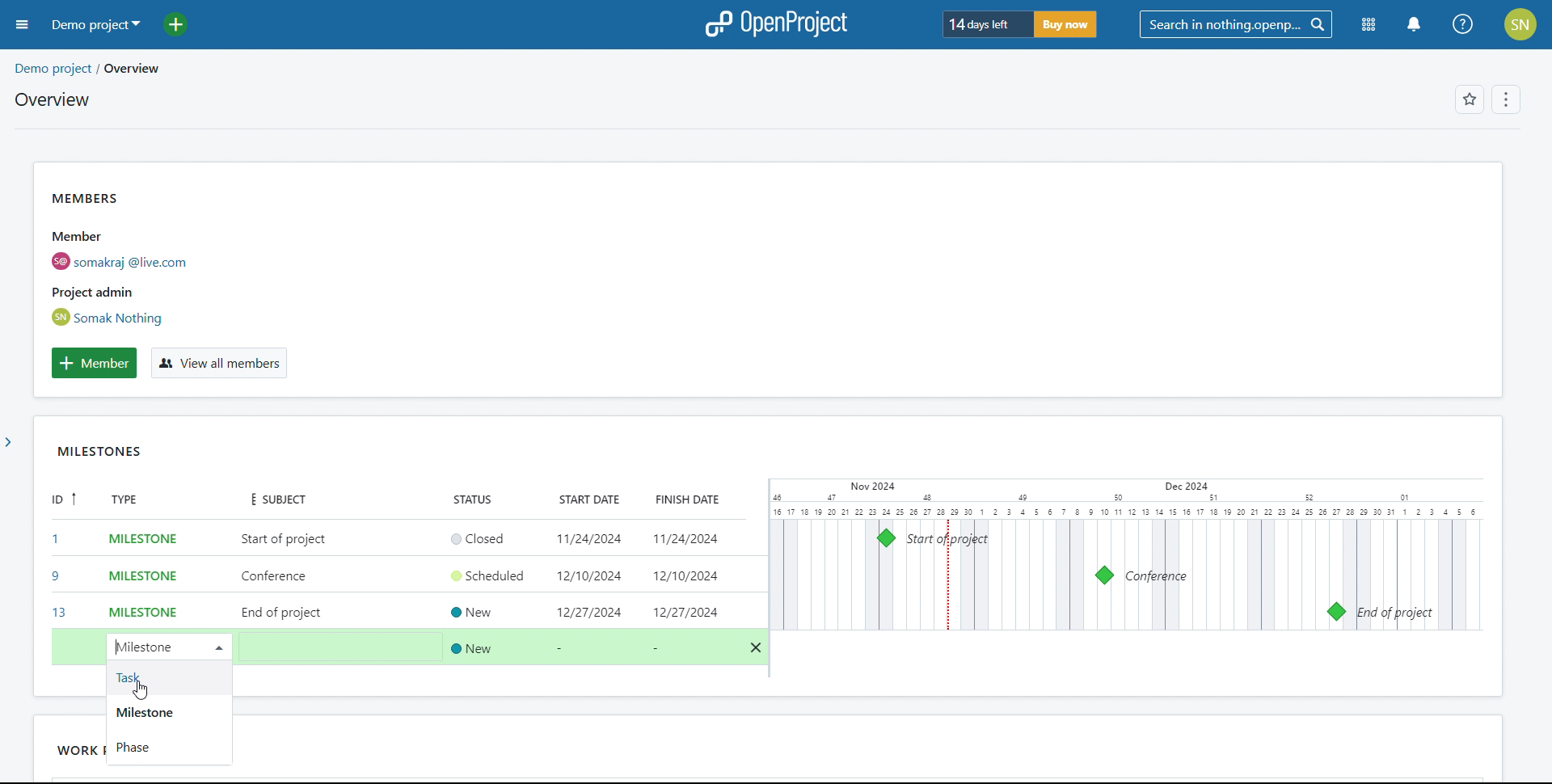 The image size is (1552, 784). I want to click on type, so click(134, 501).